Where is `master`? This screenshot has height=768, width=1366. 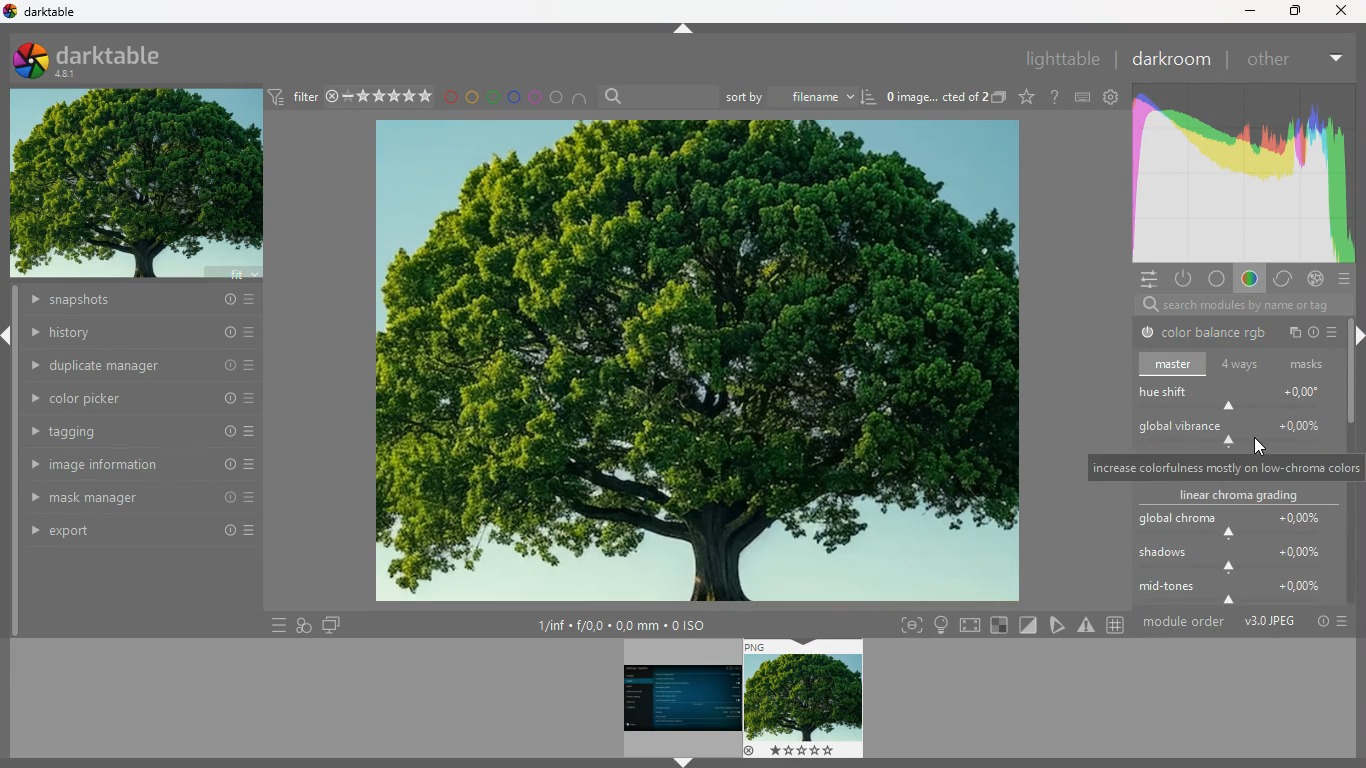
master is located at coordinates (1175, 364).